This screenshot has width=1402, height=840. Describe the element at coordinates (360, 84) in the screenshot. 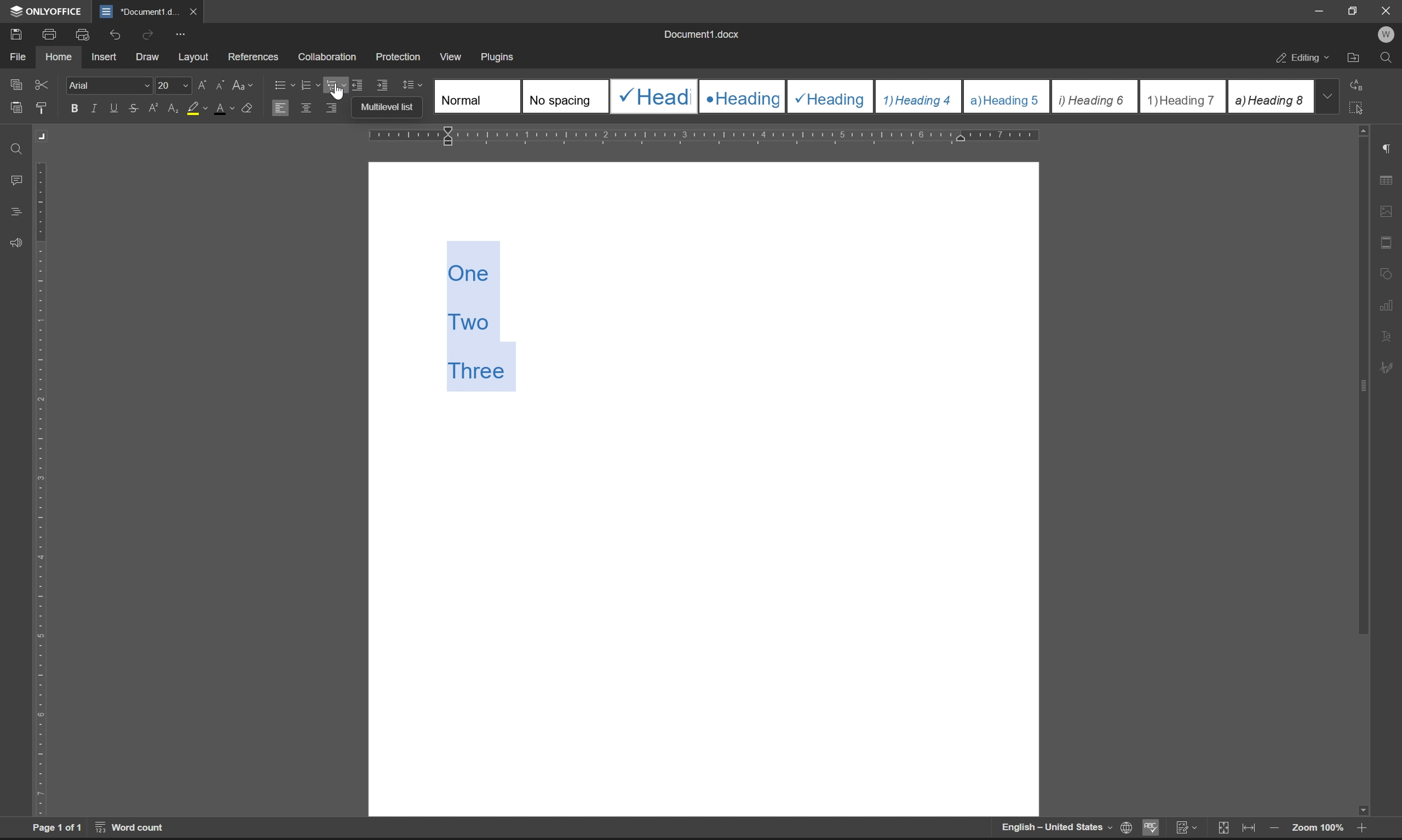

I see `decrease indent` at that location.